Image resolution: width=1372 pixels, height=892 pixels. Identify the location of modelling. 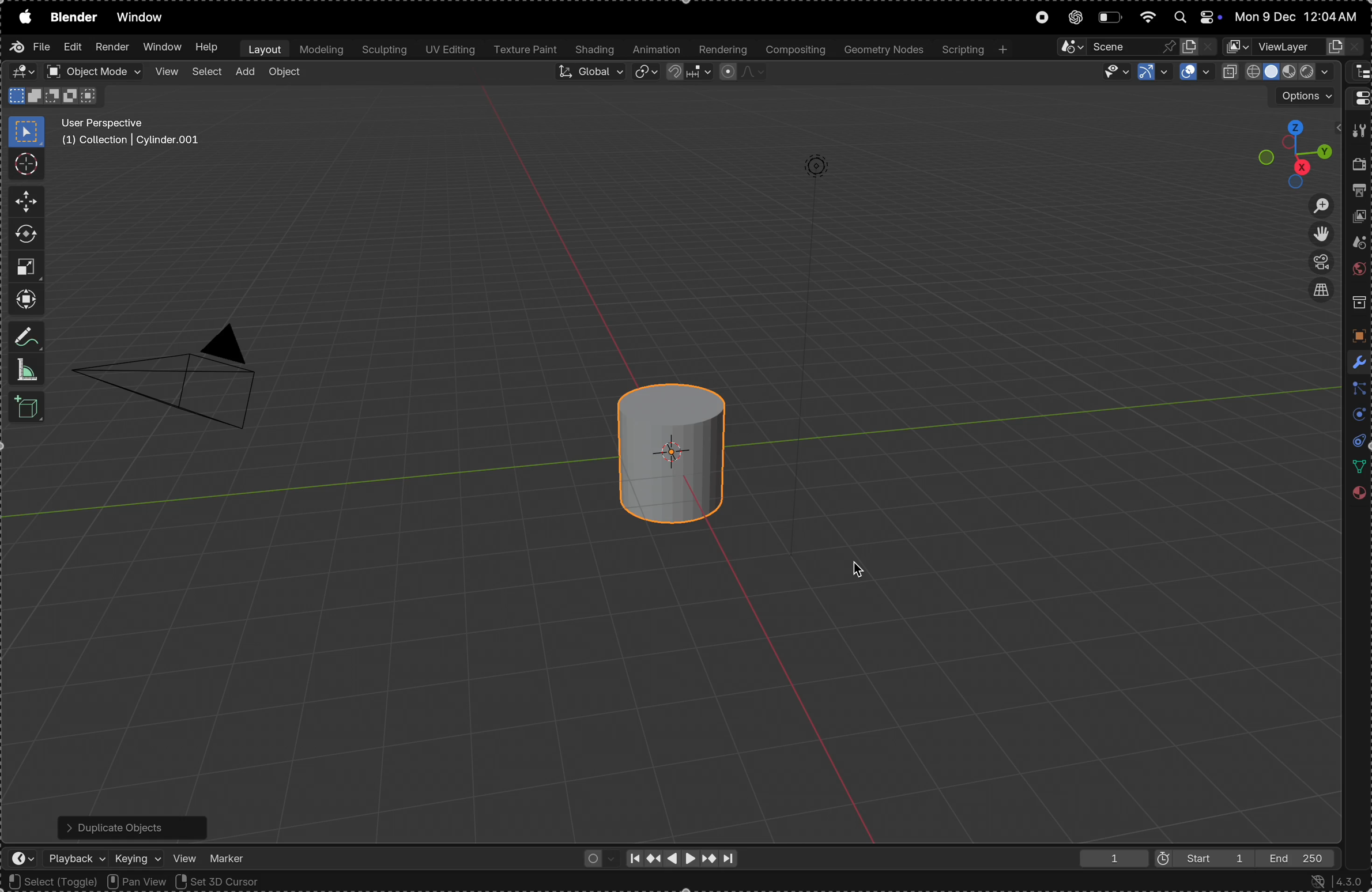
(321, 49).